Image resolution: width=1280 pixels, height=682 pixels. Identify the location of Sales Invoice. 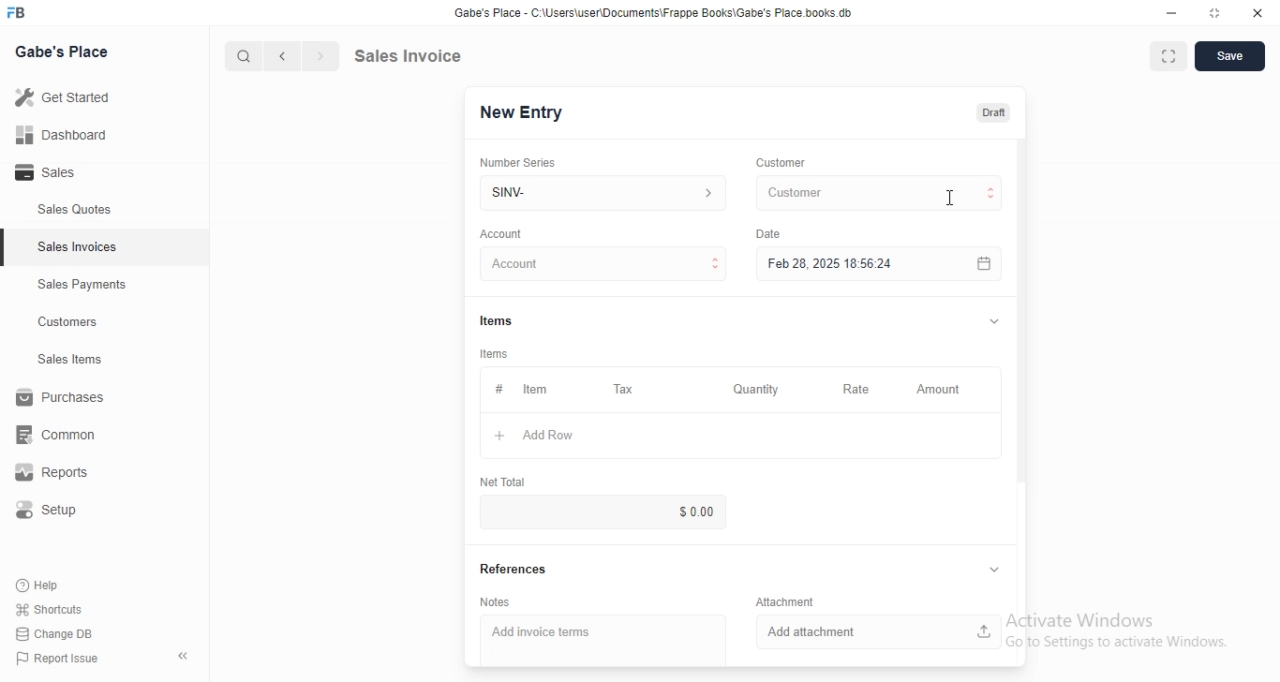
(419, 55).